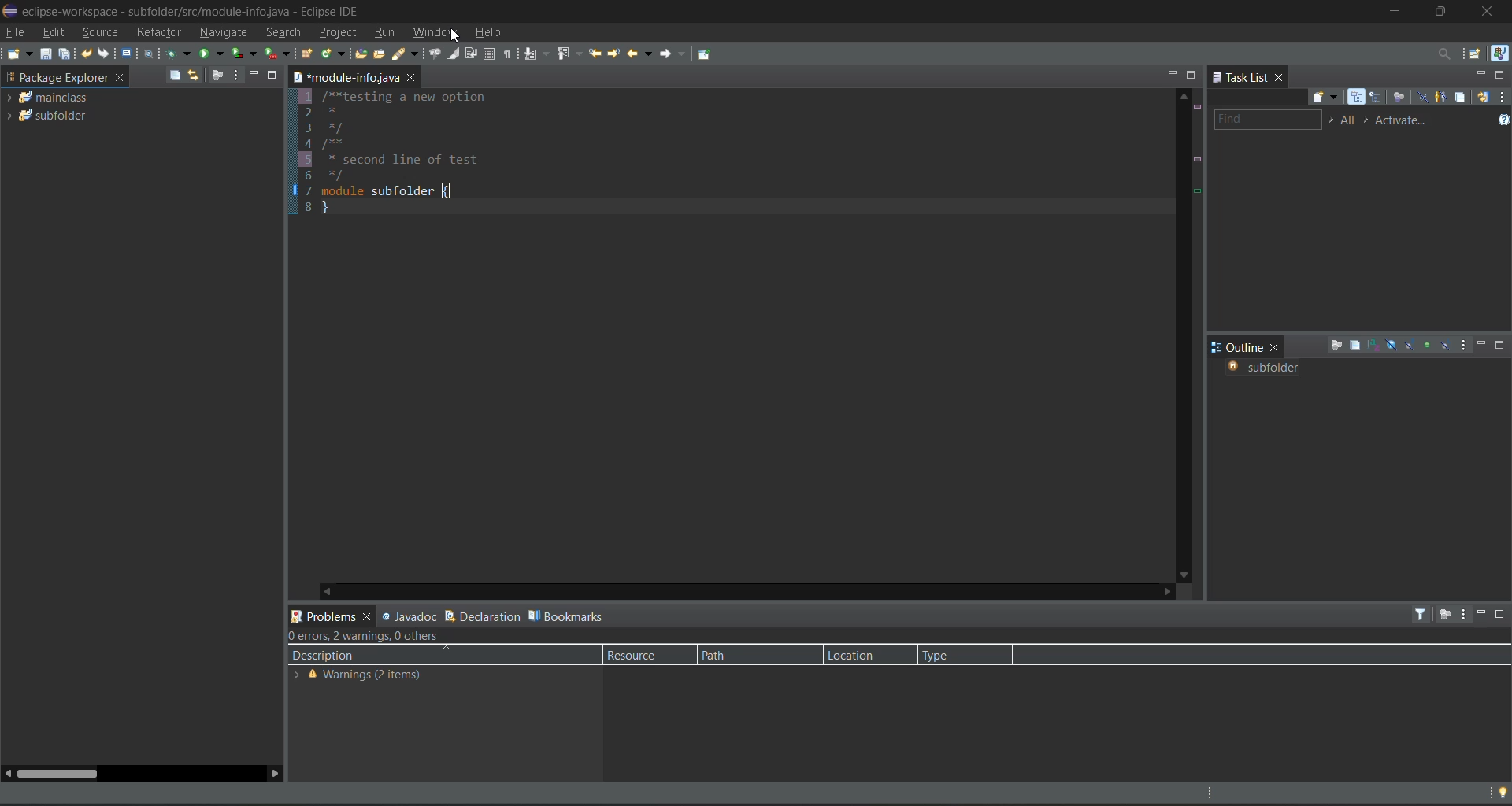  Describe the element at coordinates (47, 54) in the screenshot. I see `save` at that location.